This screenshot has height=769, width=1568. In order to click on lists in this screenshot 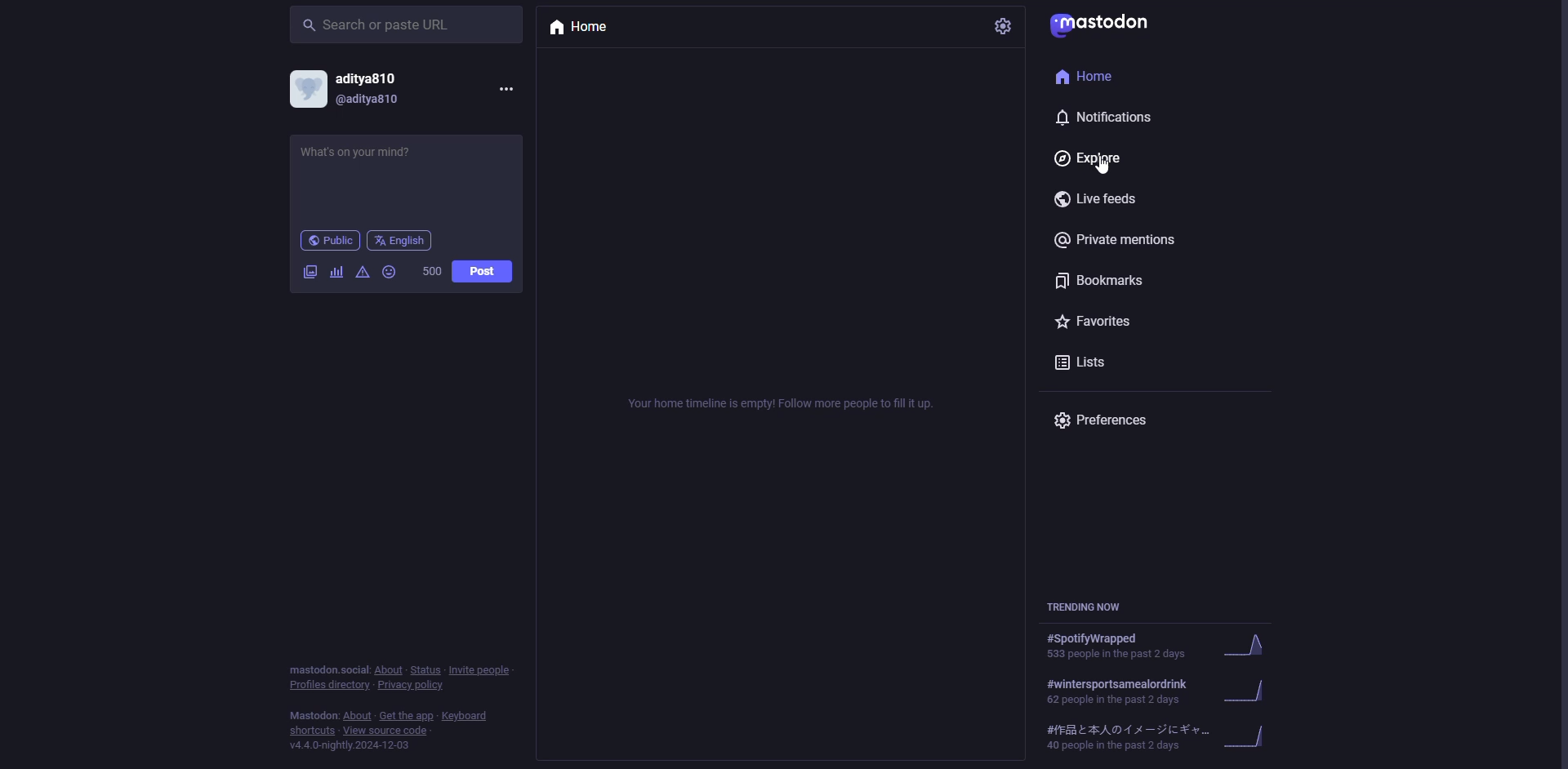, I will do `click(1086, 362)`.